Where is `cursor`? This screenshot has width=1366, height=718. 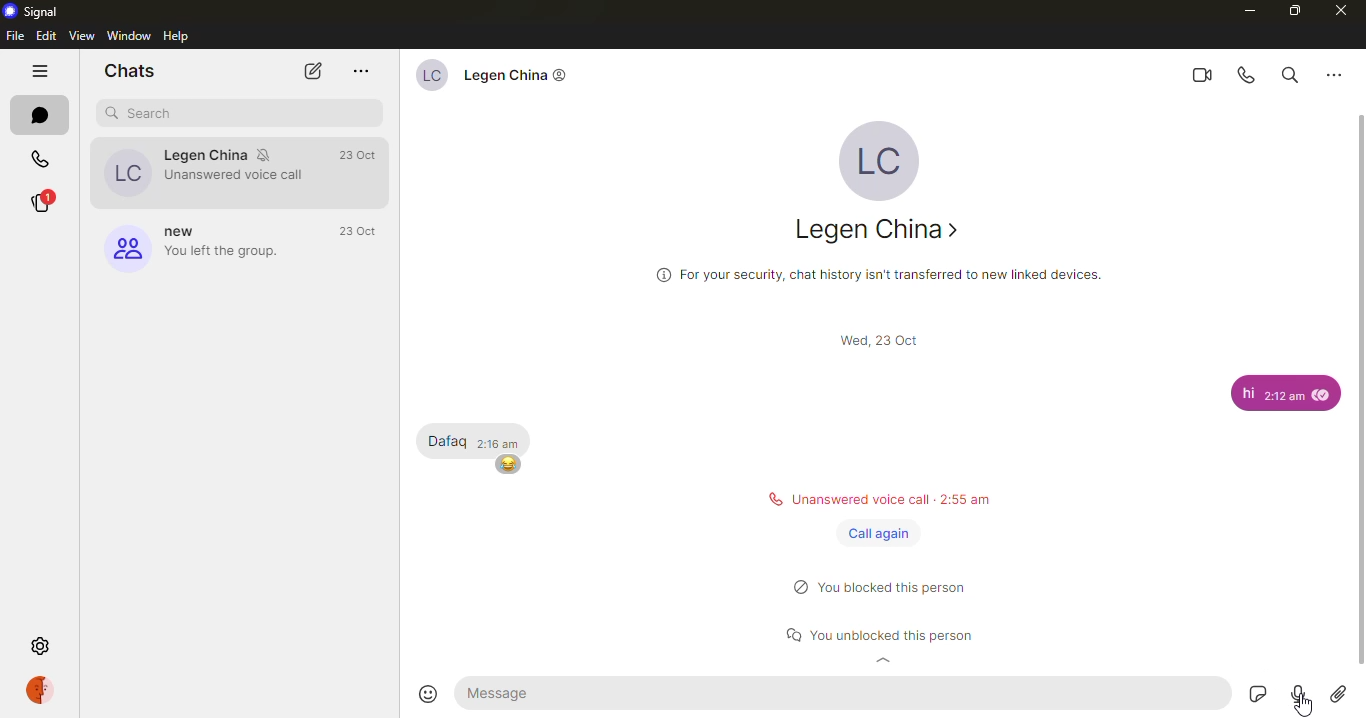
cursor is located at coordinates (1304, 705).